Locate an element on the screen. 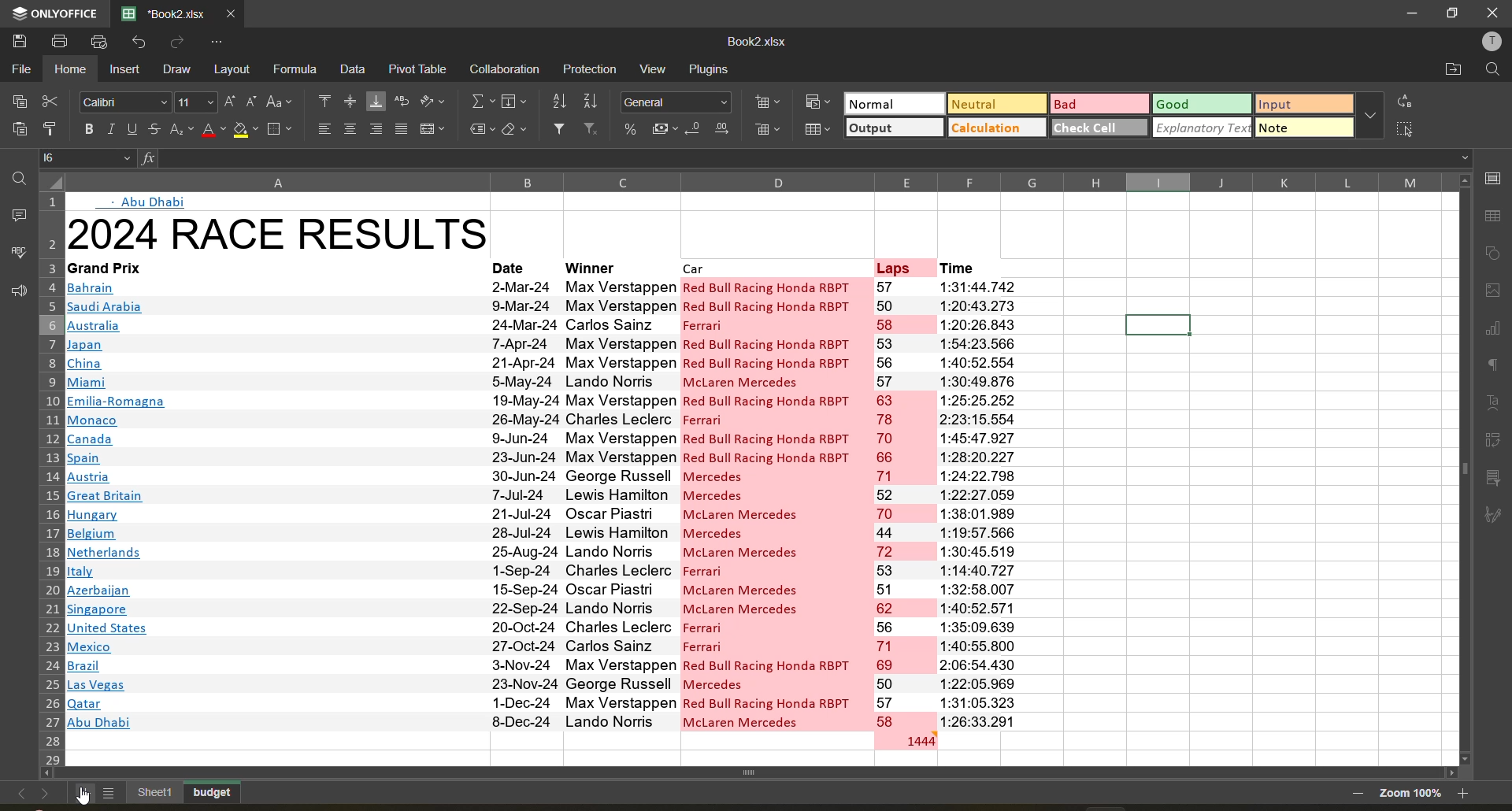  find is located at coordinates (1495, 69).